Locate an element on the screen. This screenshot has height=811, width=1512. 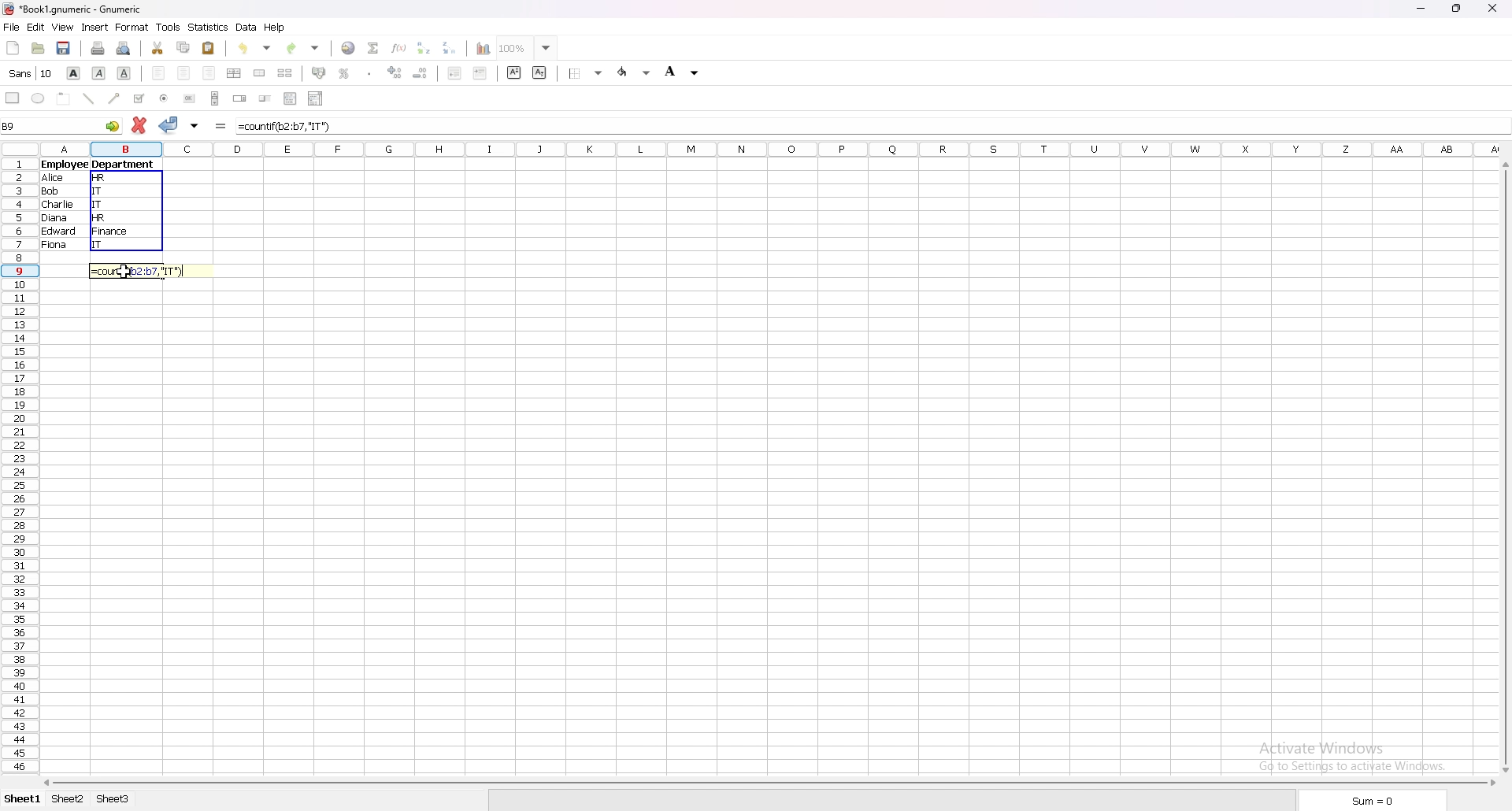
arrowed line is located at coordinates (114, 98).